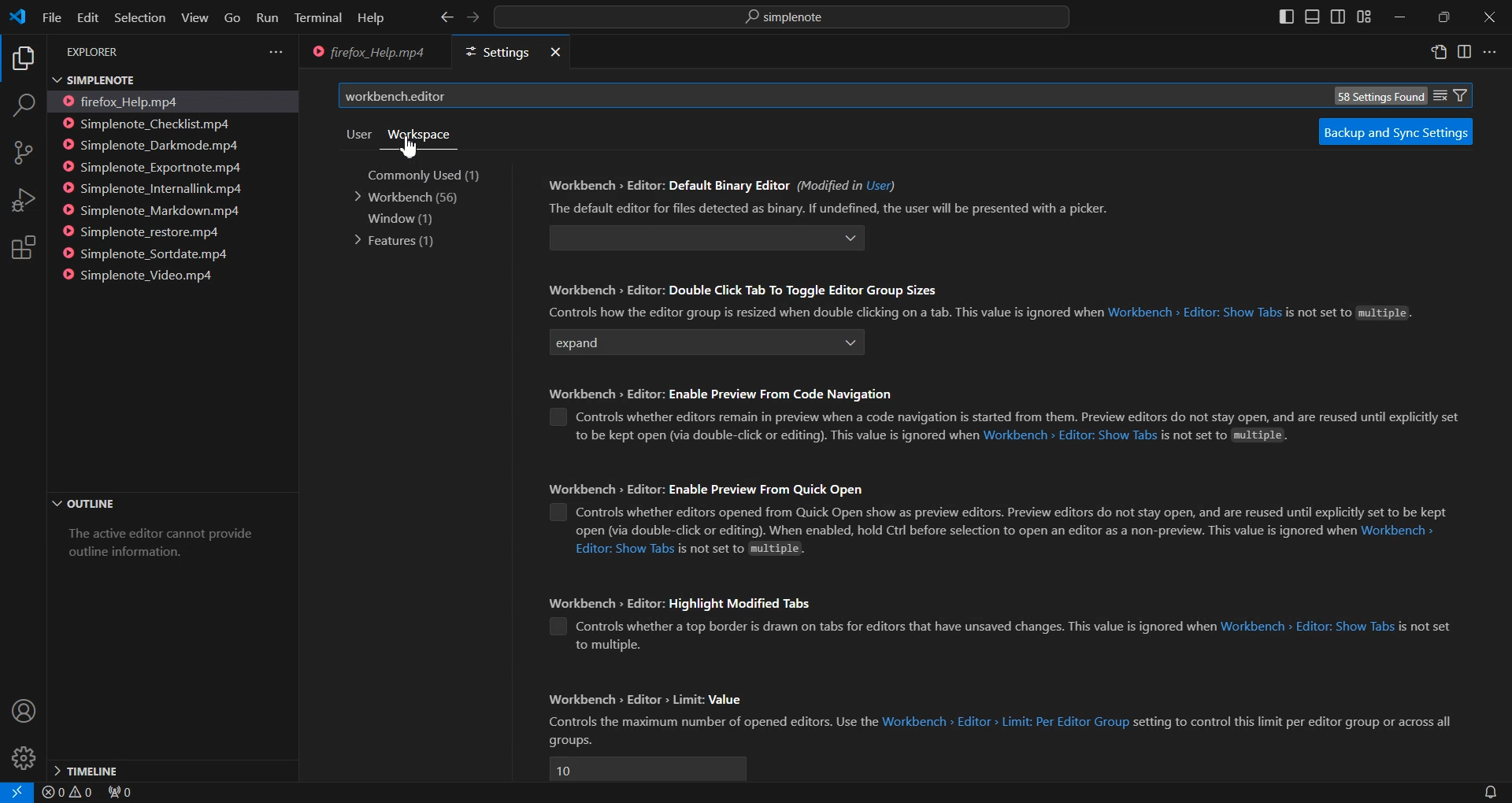  I want to click on Go, so click(232, 18).